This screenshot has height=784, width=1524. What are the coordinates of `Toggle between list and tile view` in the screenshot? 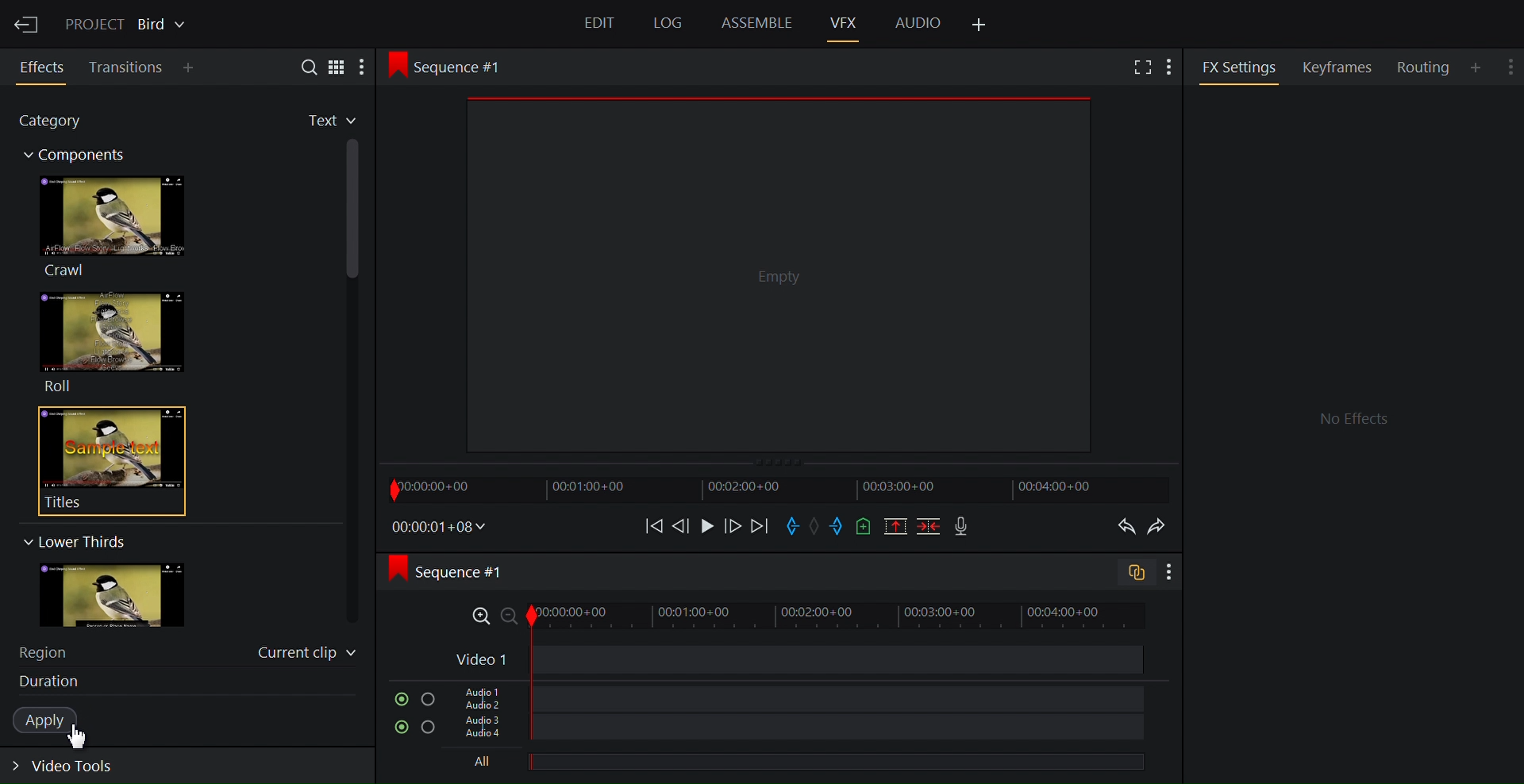 It's located at (337, 66).